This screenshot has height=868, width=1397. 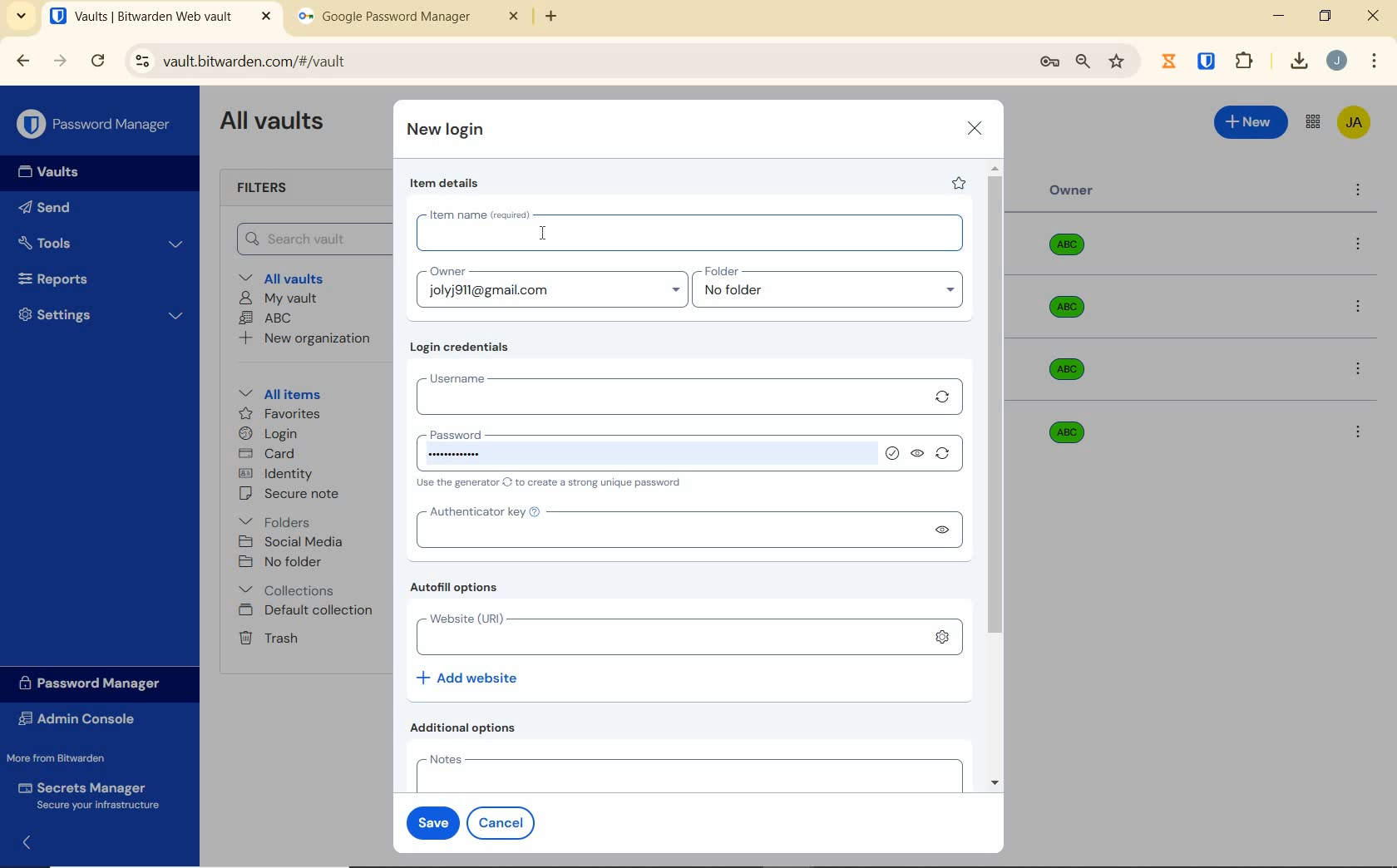 What do you see at coordinates (467, 727) in the screenshot?
I see `dditional options` at bounding box center [467, 727].